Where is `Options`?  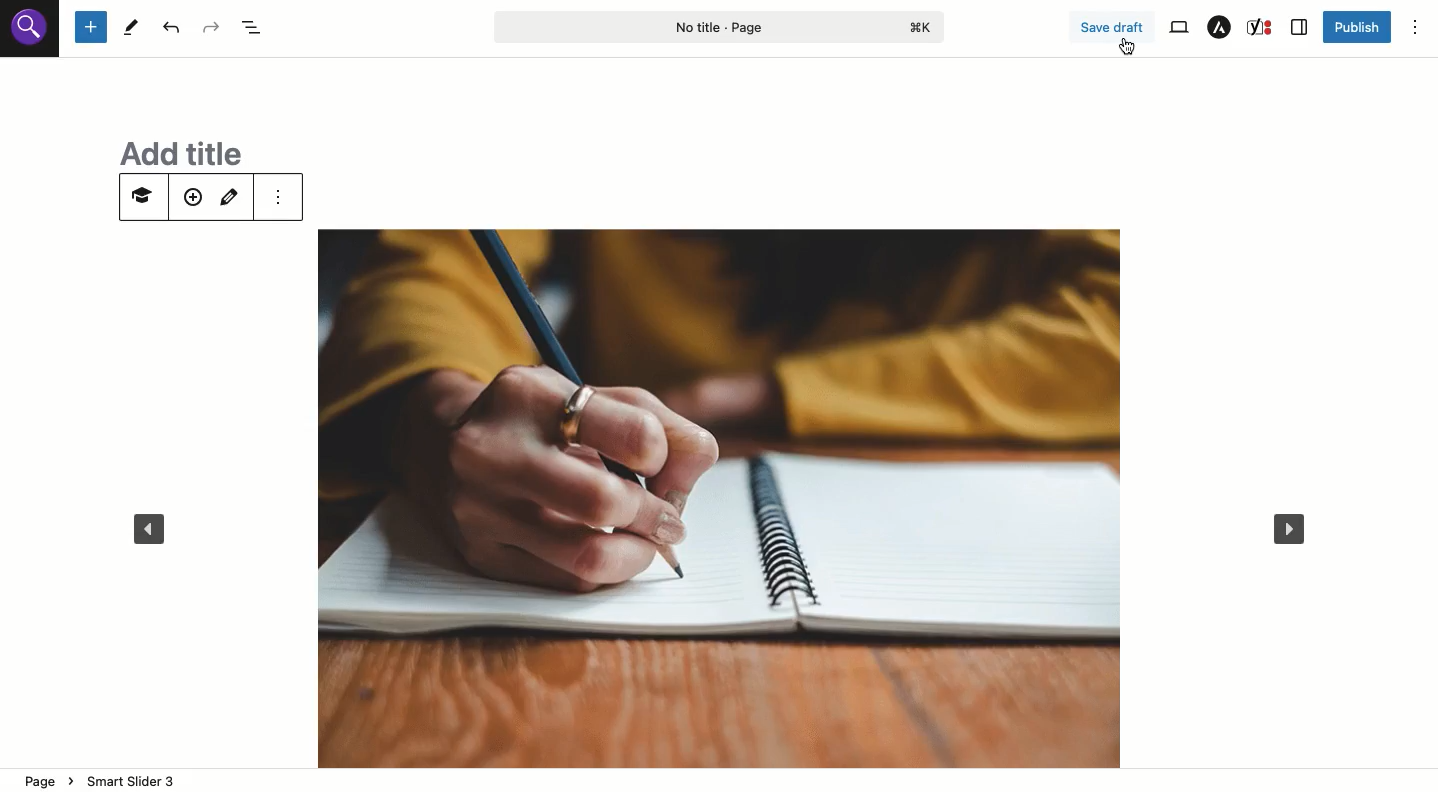 Options is located at coordinates (1415, 27).